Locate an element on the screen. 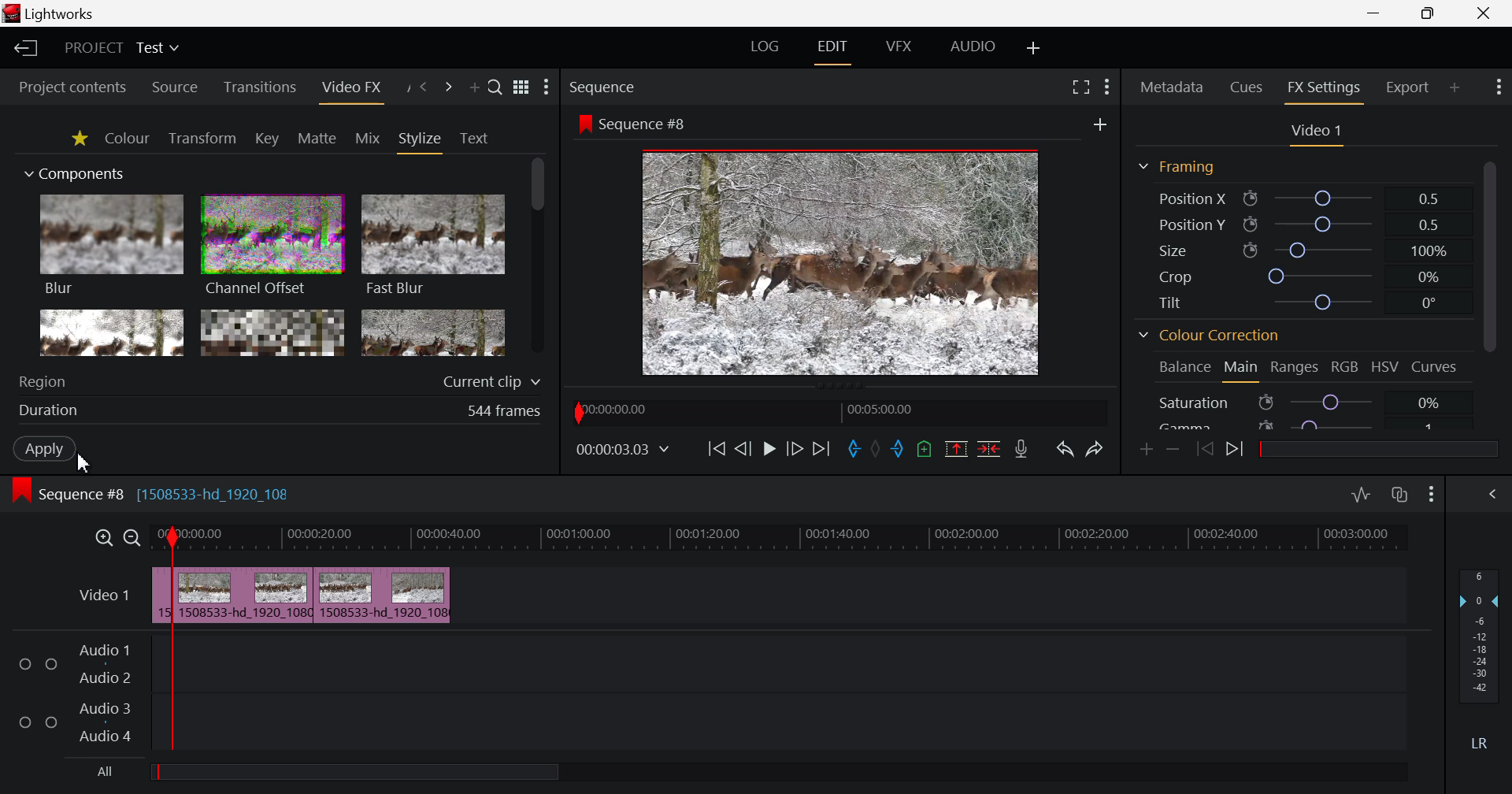  Cursor on Clipped Sequence is located at coordinates (188, 595).